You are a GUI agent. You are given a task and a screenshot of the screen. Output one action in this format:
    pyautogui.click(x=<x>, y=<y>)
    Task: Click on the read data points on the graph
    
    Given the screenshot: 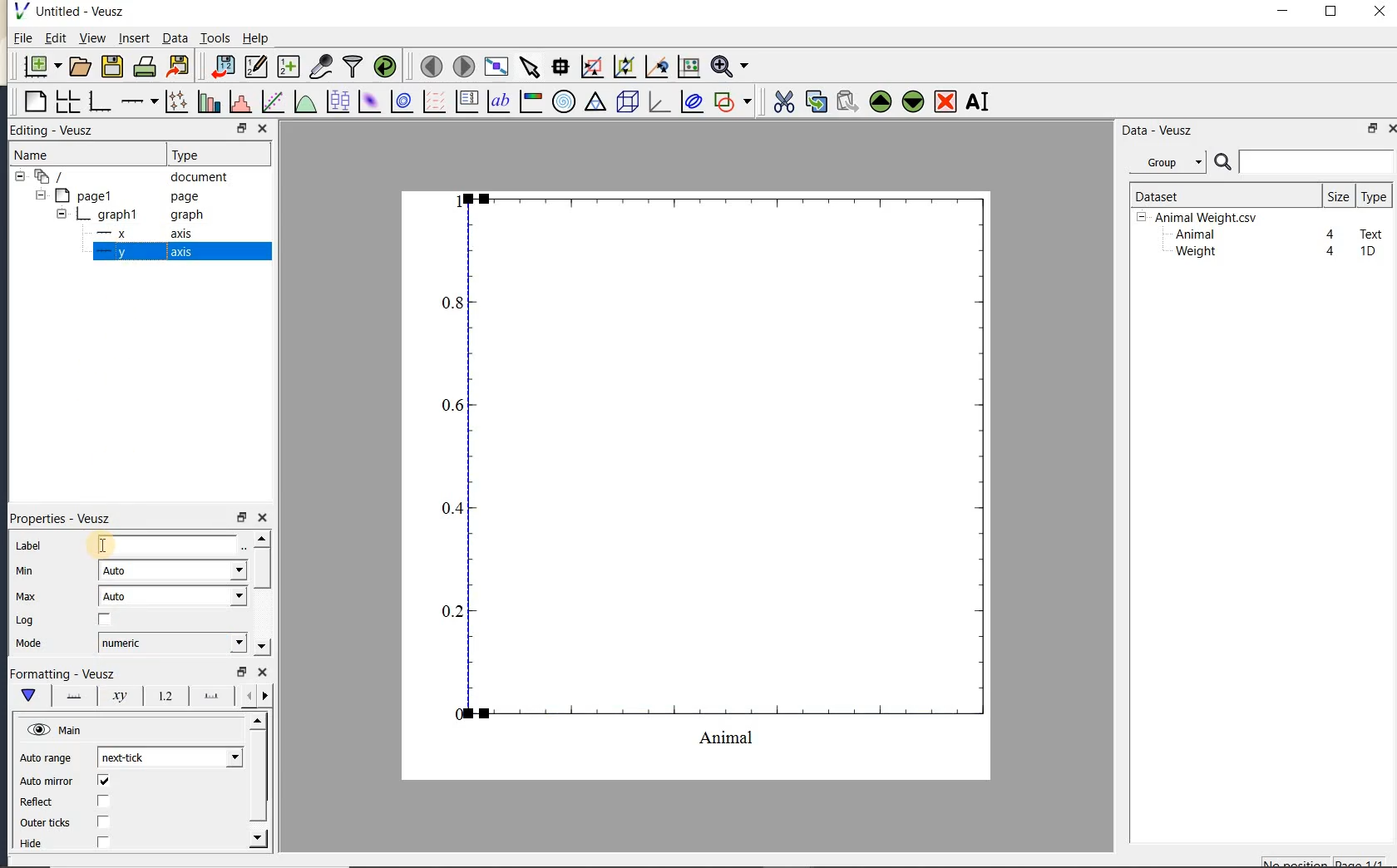 What is the action you would take?
    pyautogui.click(x=560, y=67)
    